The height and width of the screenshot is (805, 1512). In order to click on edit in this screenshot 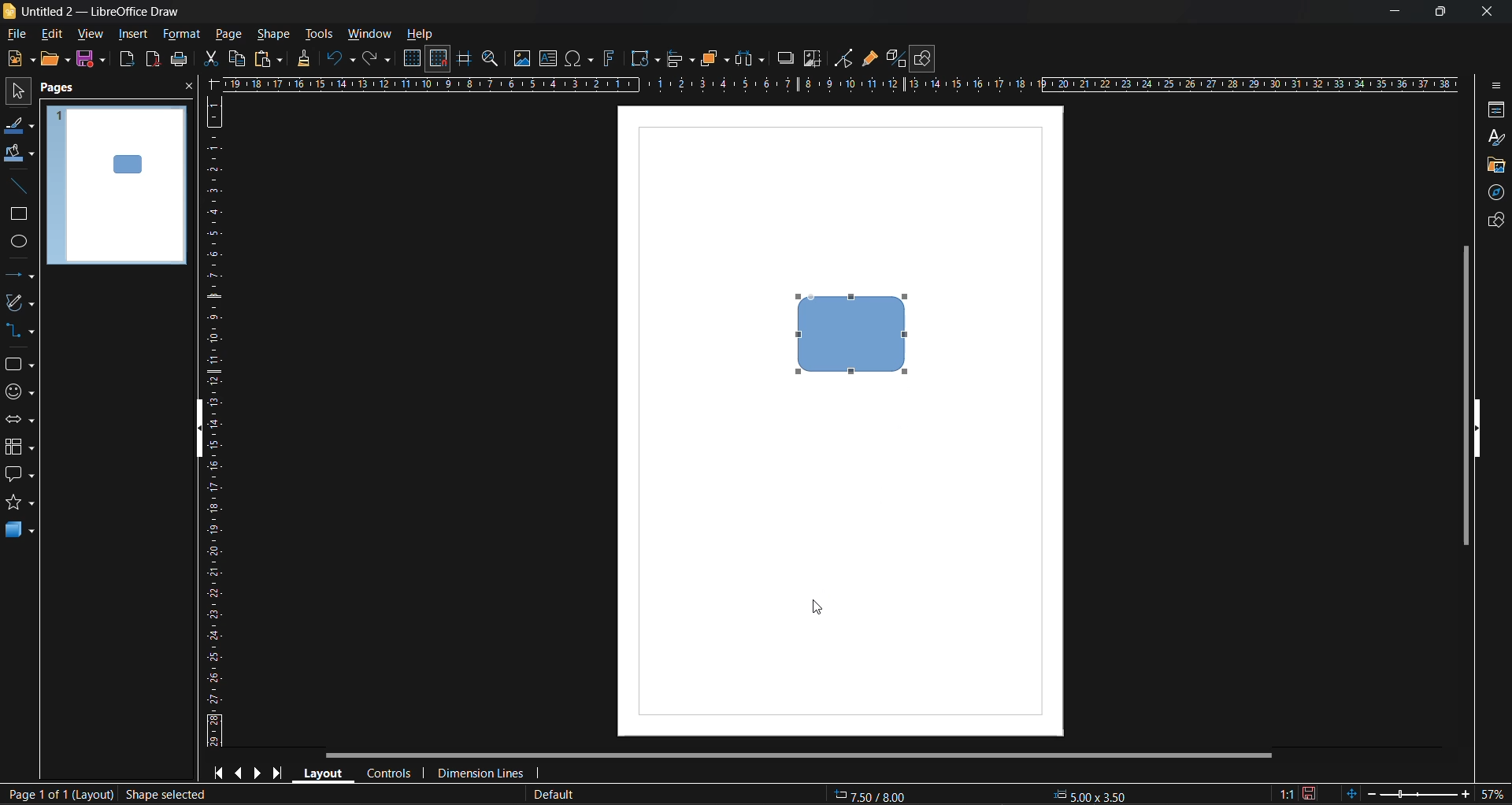, I will do `click(55, 35)`.